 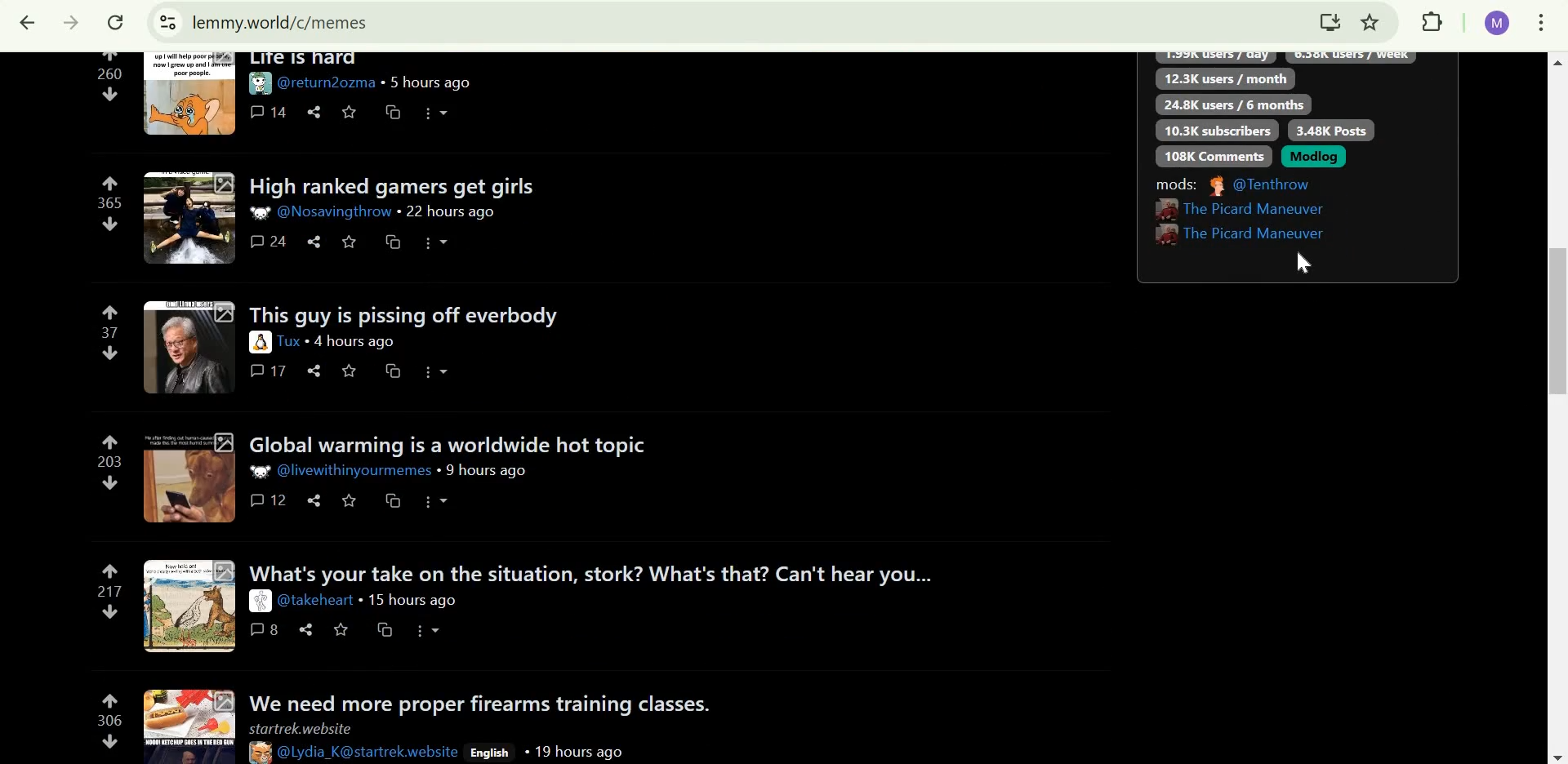 What do you see at coordinates (393, 371) in the screenshot?
I see `cross-post` at bounding box center [393, 371].